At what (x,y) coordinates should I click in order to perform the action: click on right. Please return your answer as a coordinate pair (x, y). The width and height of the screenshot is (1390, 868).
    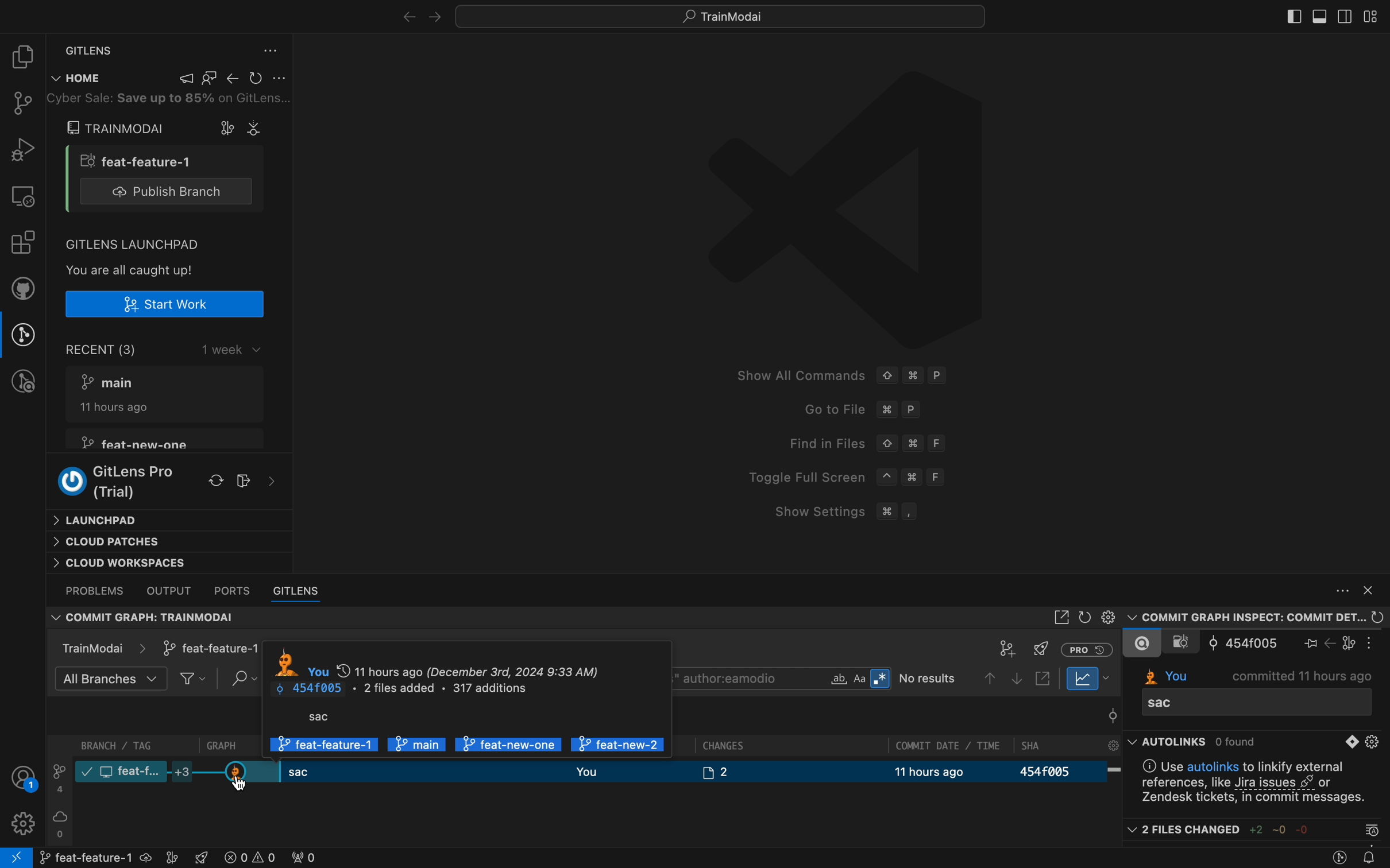
    Looking at the image, I should click on (403, 15).